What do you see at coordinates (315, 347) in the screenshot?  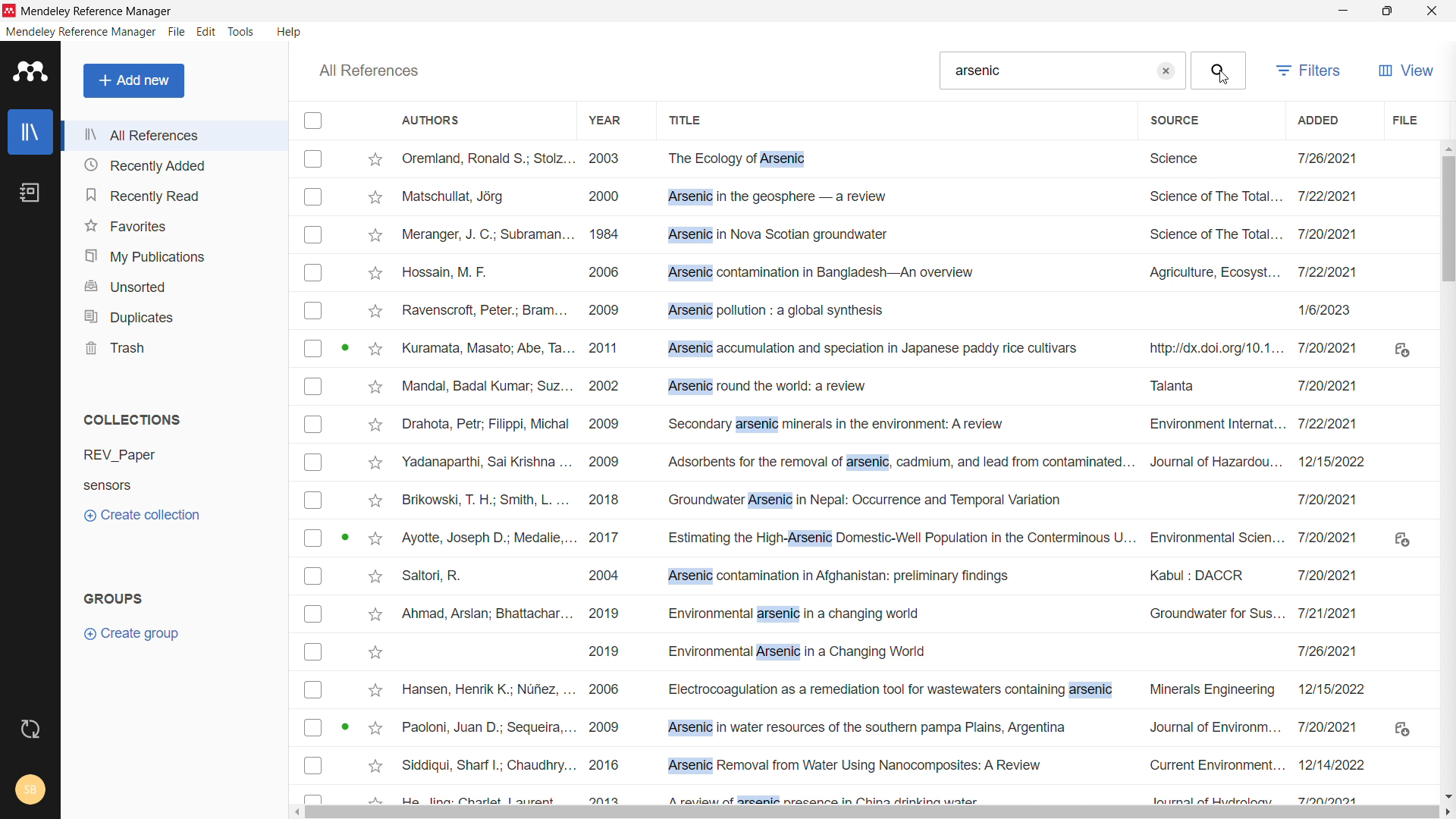 I see `Checkbox` at bounding box center [315, 347].